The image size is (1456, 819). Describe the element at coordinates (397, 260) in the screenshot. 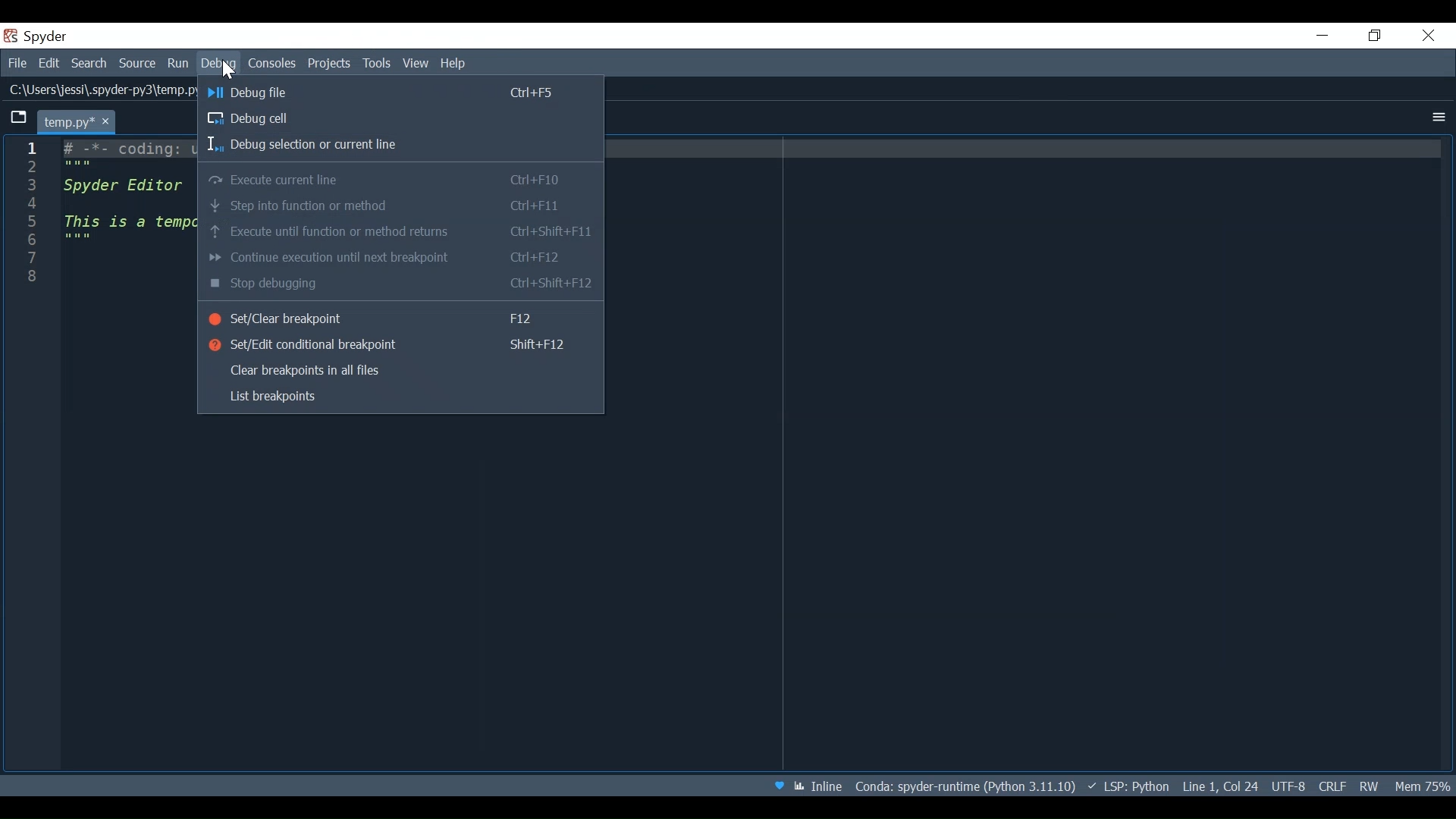

I see `Configure execution until next breakpoint` at that location.